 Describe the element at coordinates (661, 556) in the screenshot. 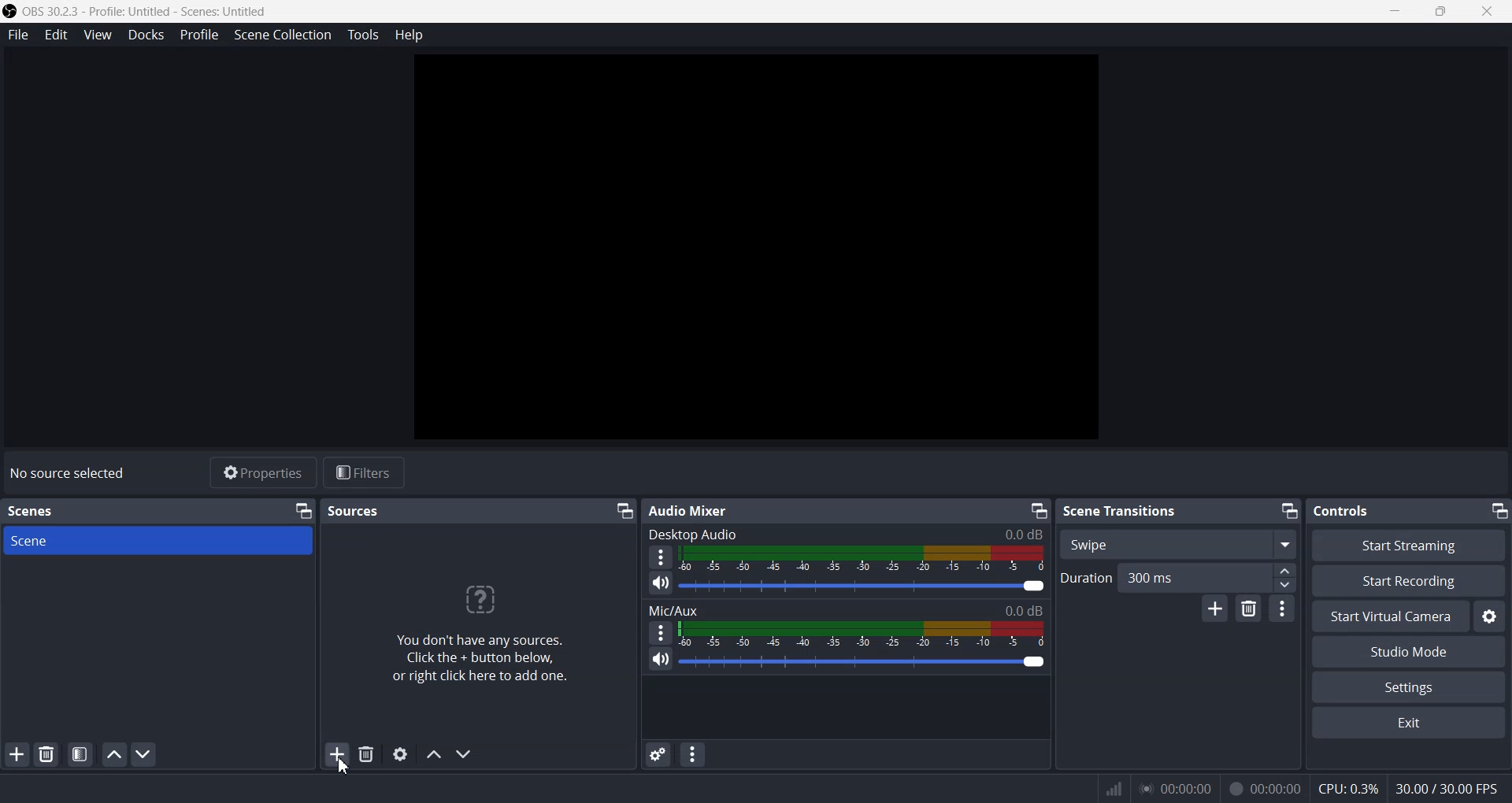

I see `More` at that location.